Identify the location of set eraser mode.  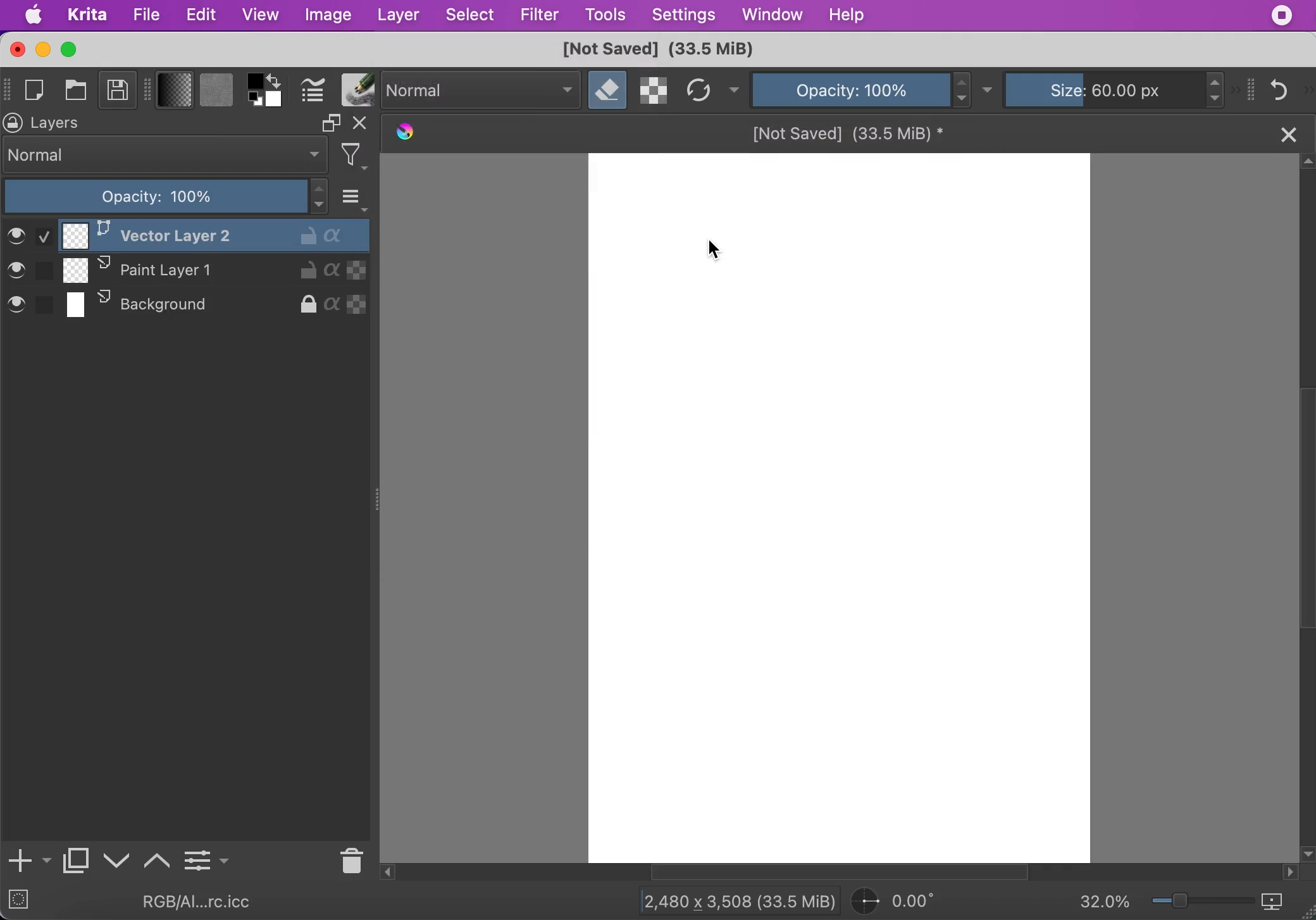
(608, 90).